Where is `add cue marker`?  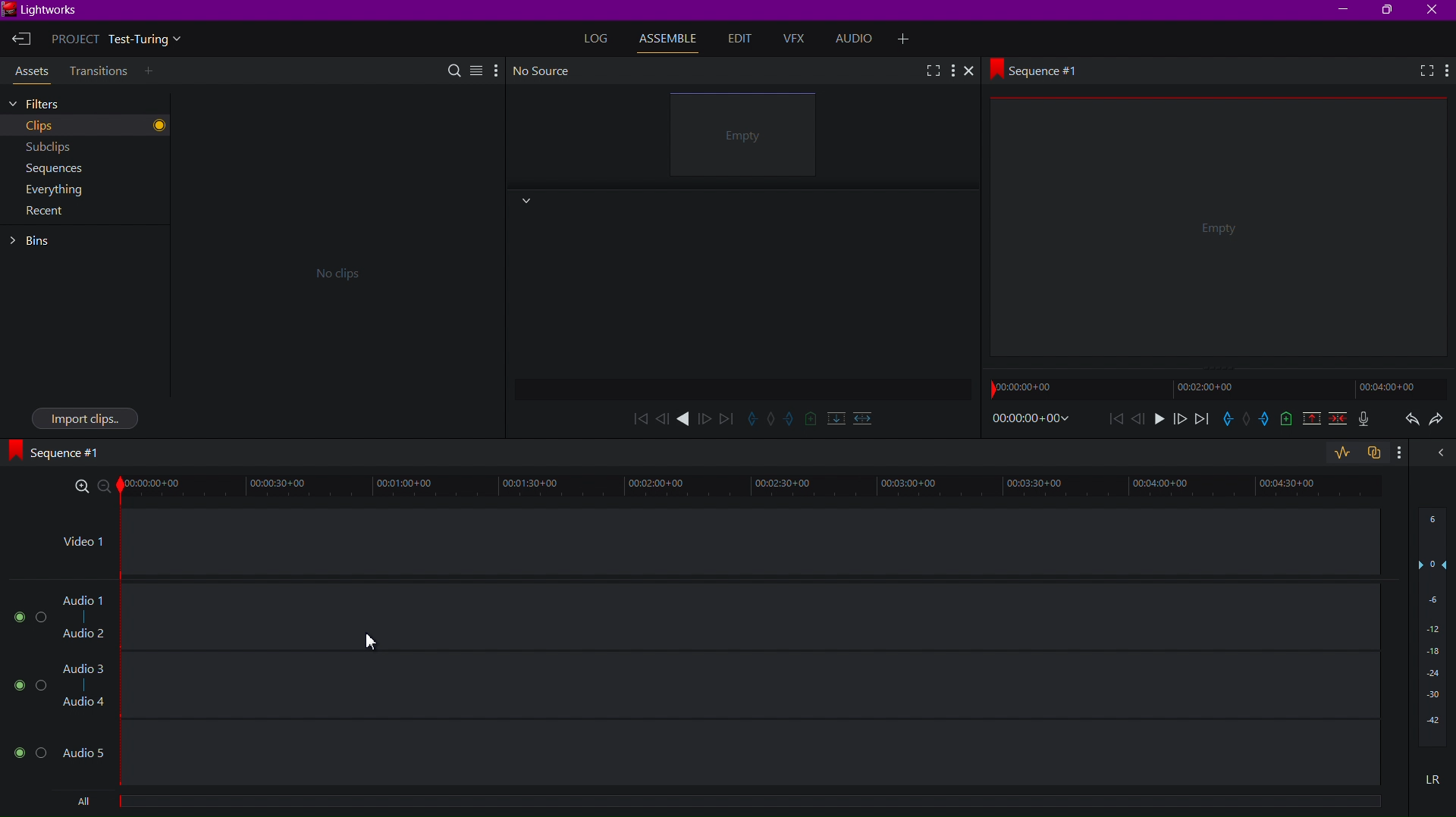 add cue marker is located at coordinates (811, 418).